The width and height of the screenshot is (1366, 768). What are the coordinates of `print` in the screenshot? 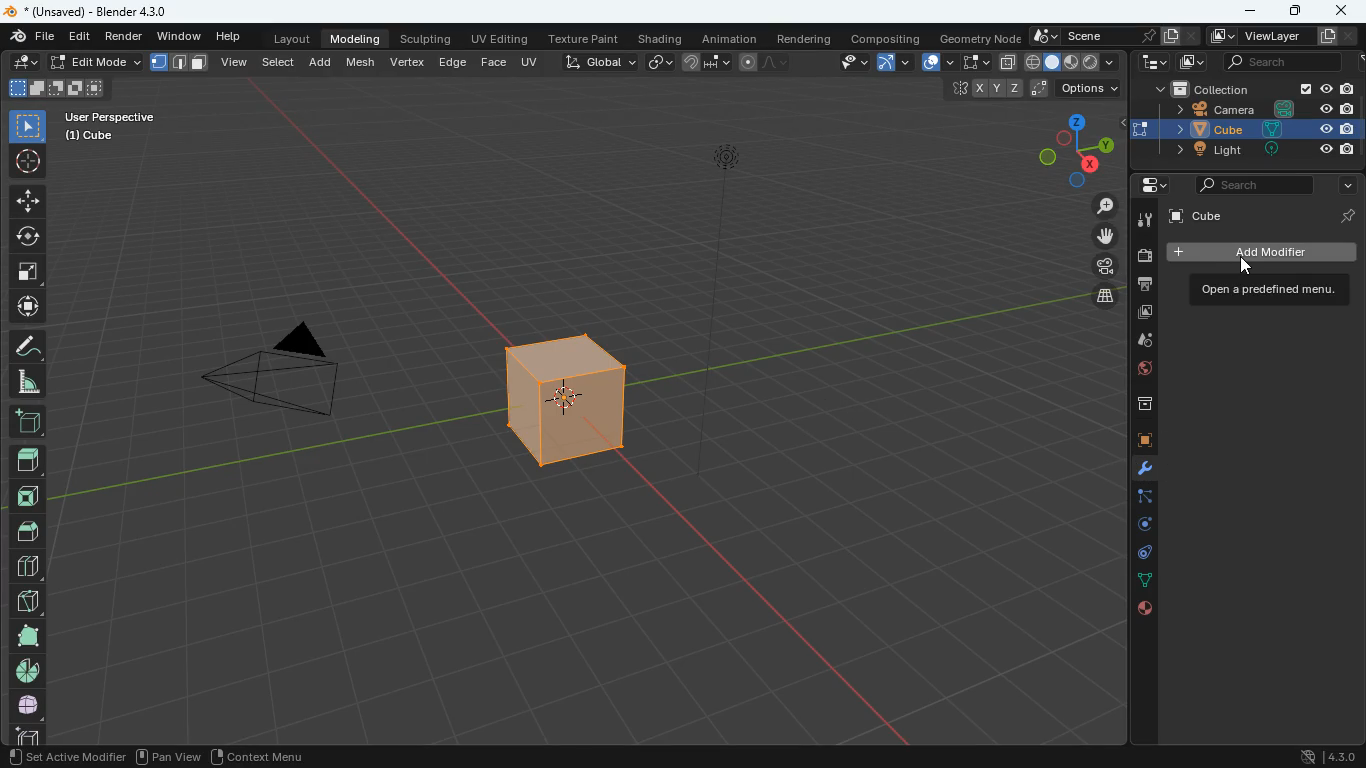 It's located at (1140, 286).